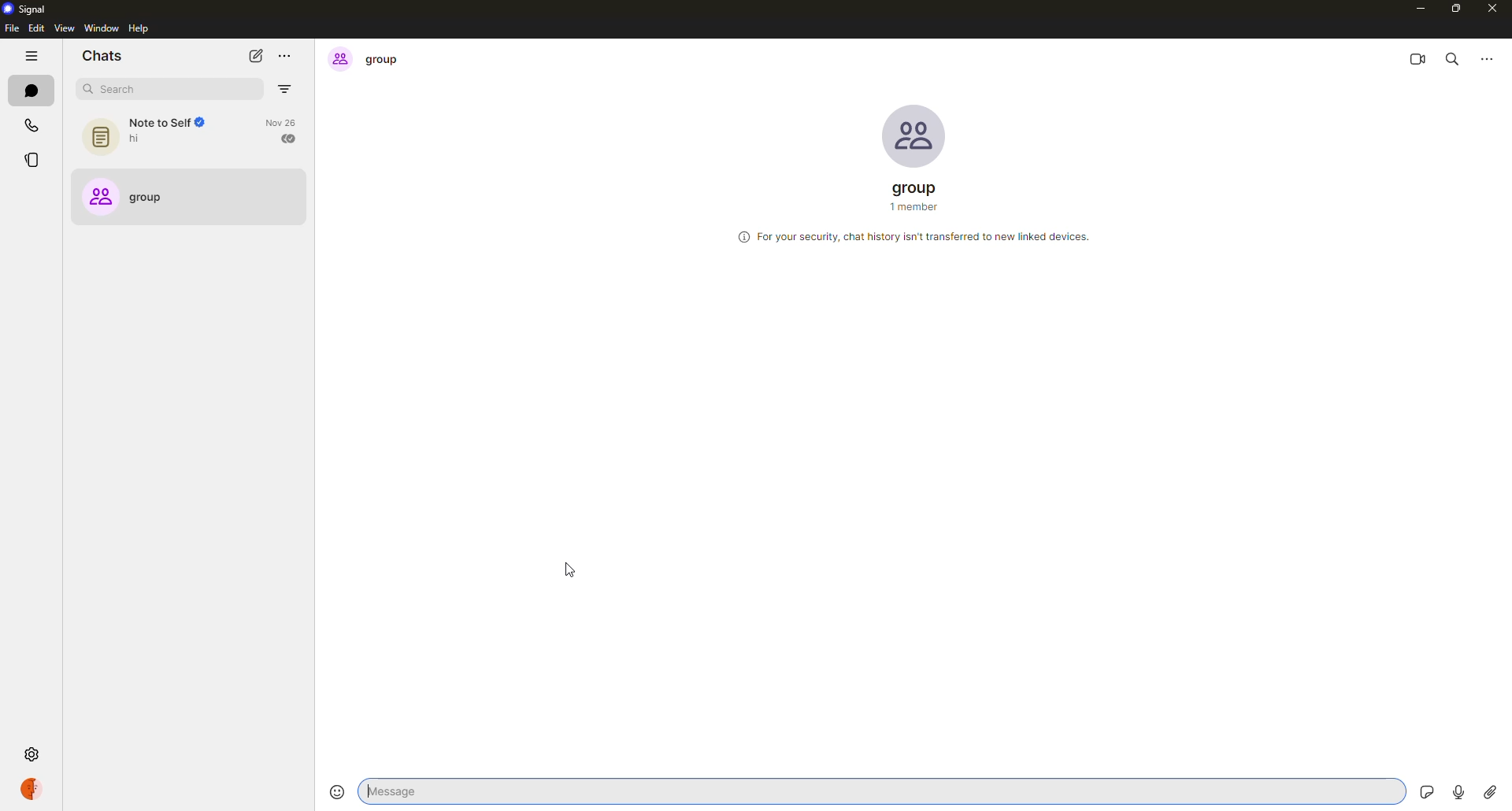 The image size is (1512, 811). Describe the element at coordinates (30, 790) in the screenshot. I see `profile` at that location.